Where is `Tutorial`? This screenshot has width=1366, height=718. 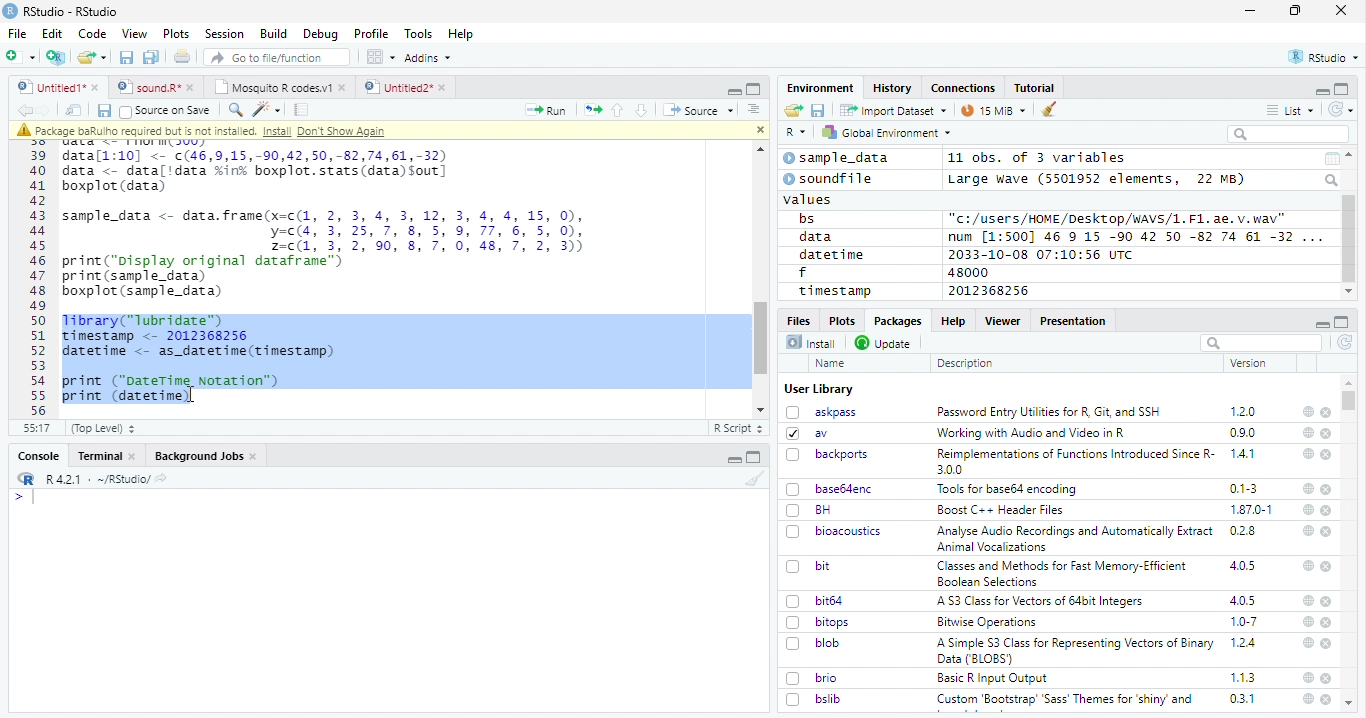
Tutorial is located at coordinates (1036, 88).